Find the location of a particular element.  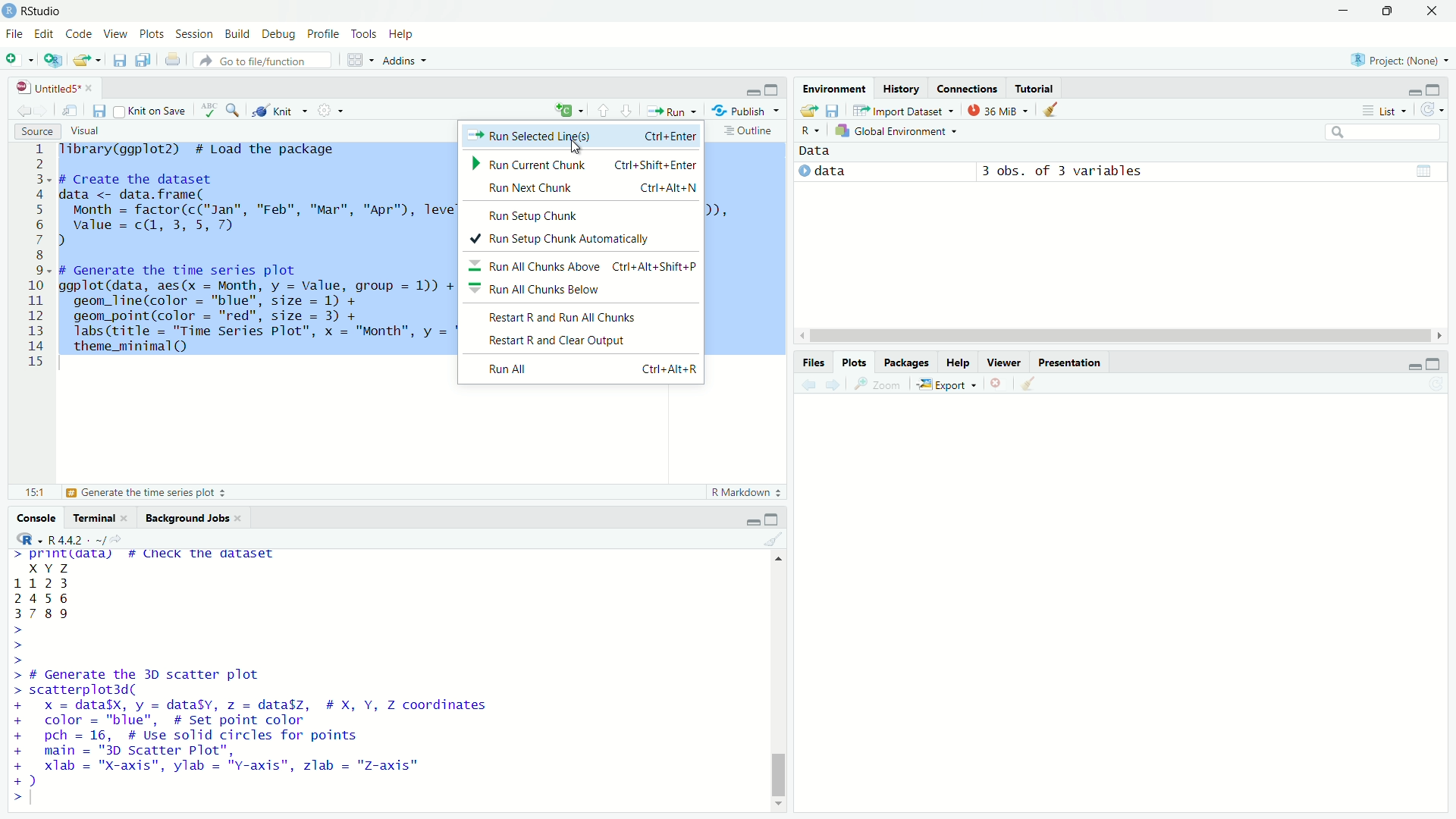

tools is located at coordinates (366, 35).